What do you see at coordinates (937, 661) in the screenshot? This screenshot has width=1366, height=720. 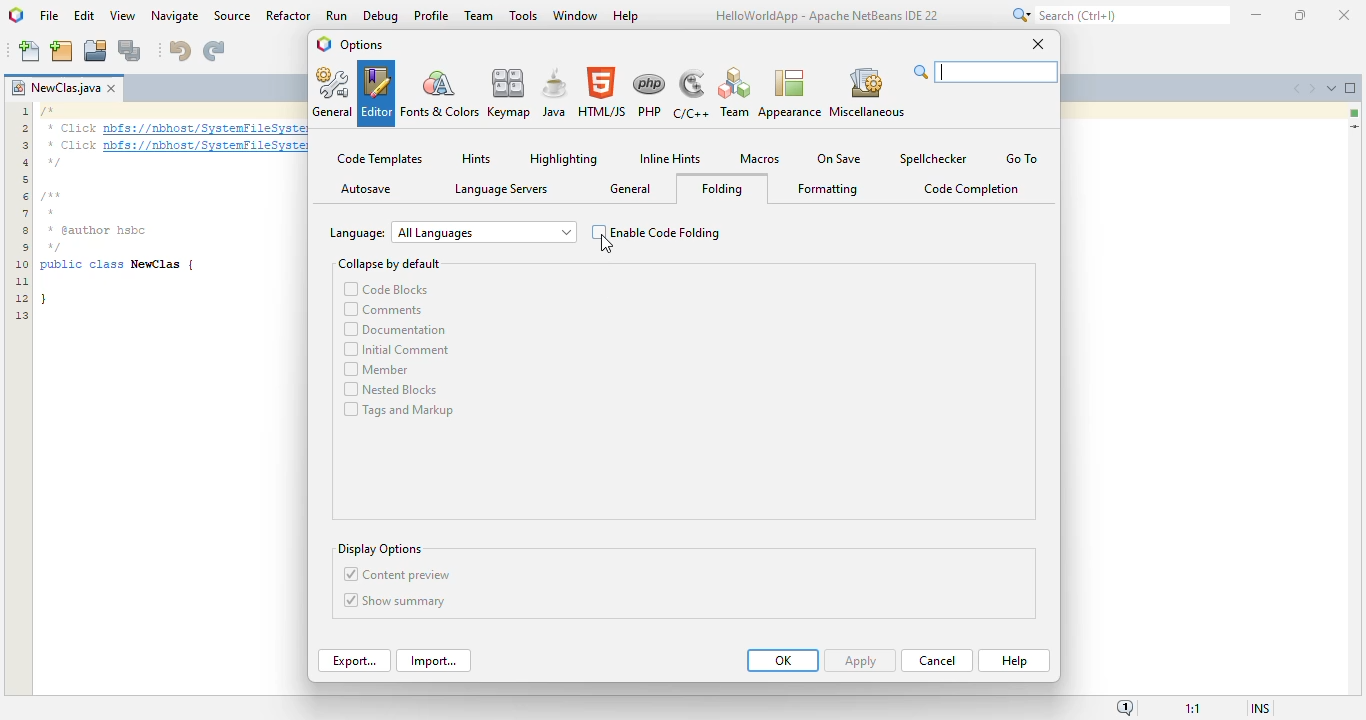 I see `cancel` at bounding box center [937, 661].